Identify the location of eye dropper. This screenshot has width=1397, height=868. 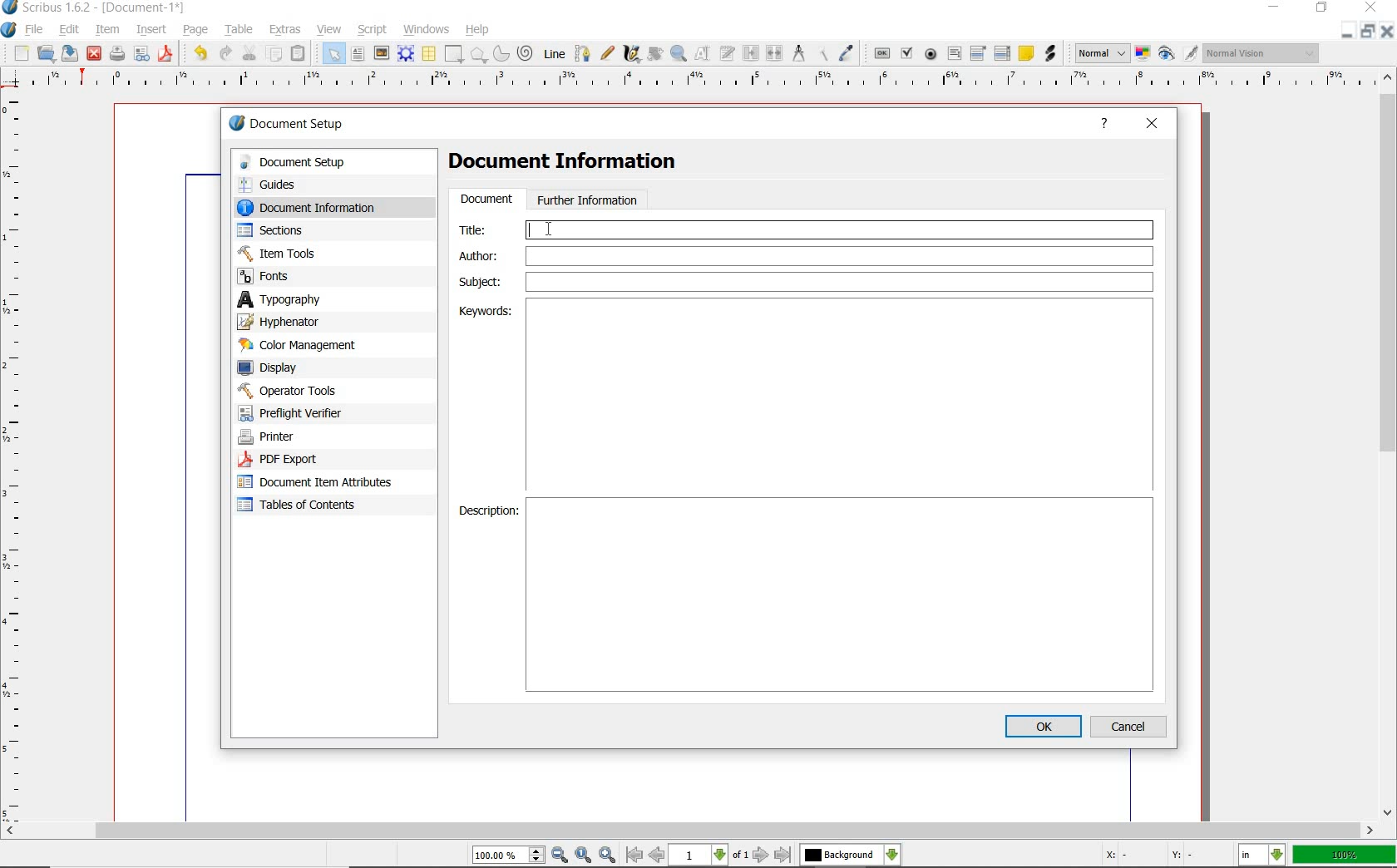
(847, 52).